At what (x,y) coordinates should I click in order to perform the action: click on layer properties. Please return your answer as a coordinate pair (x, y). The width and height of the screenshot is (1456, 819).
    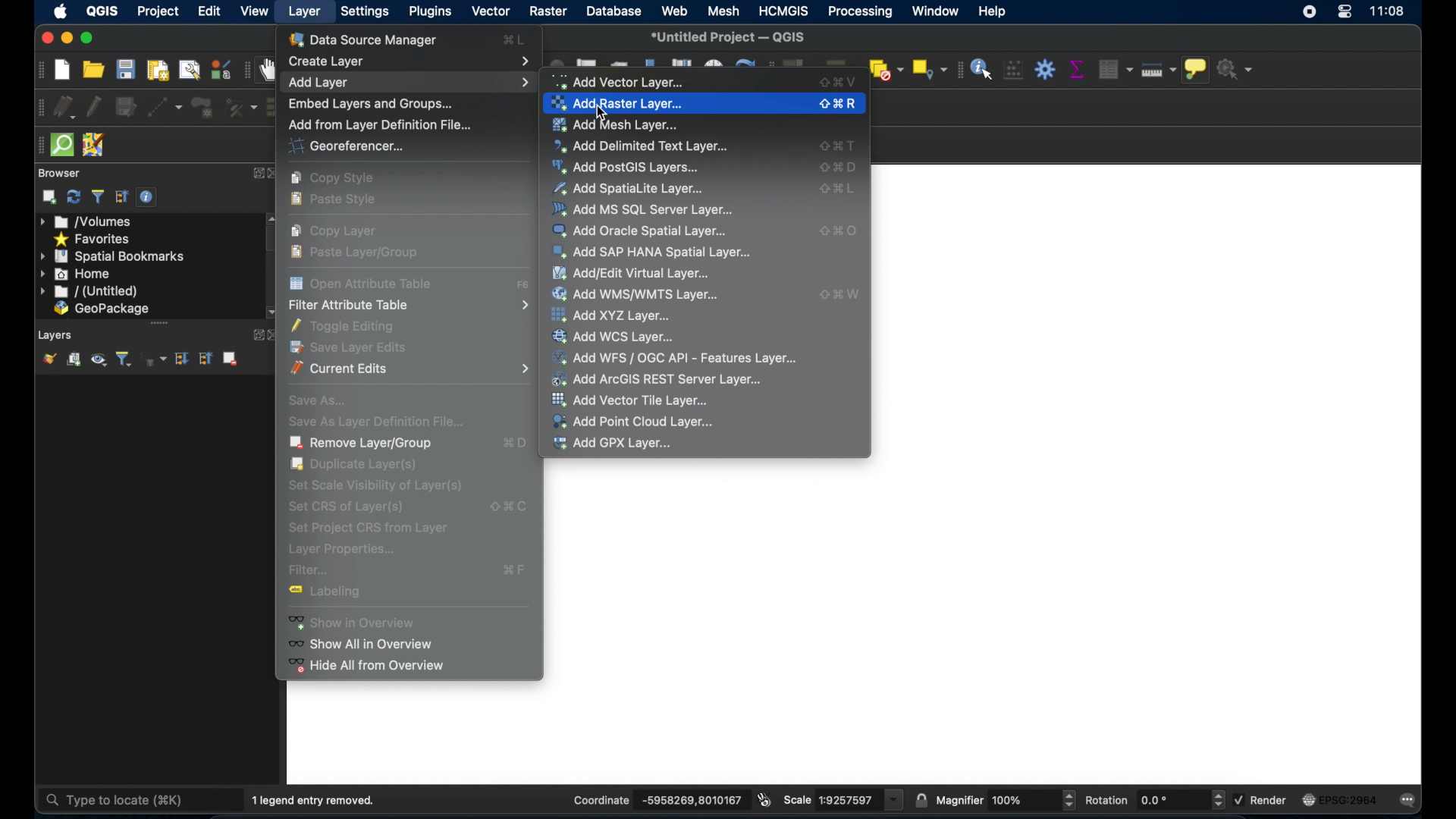
    Looking at the image, I should click on (342, 550).